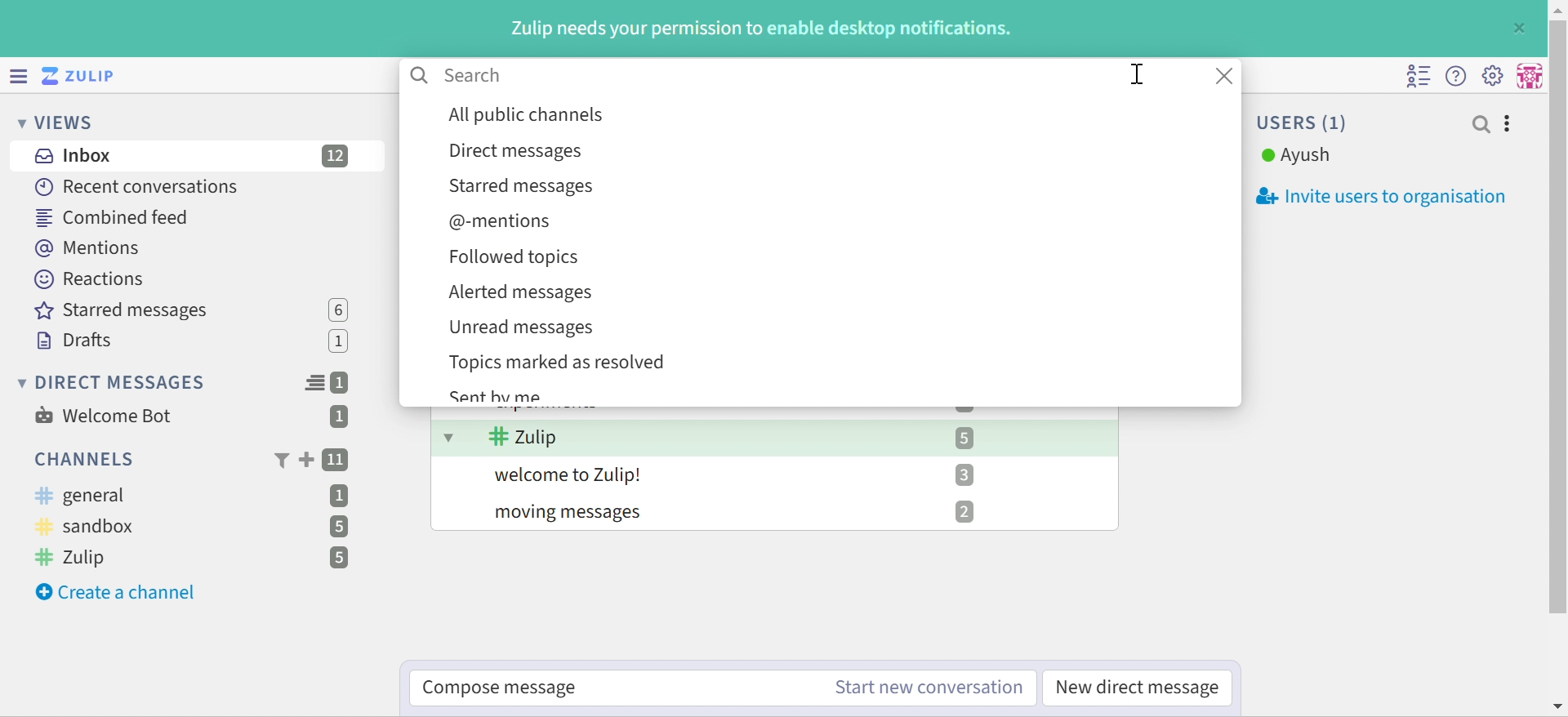 Image resolution: width=1568 pixels, height=717 pixels. I want to click on Search icon, so click(421, 76).